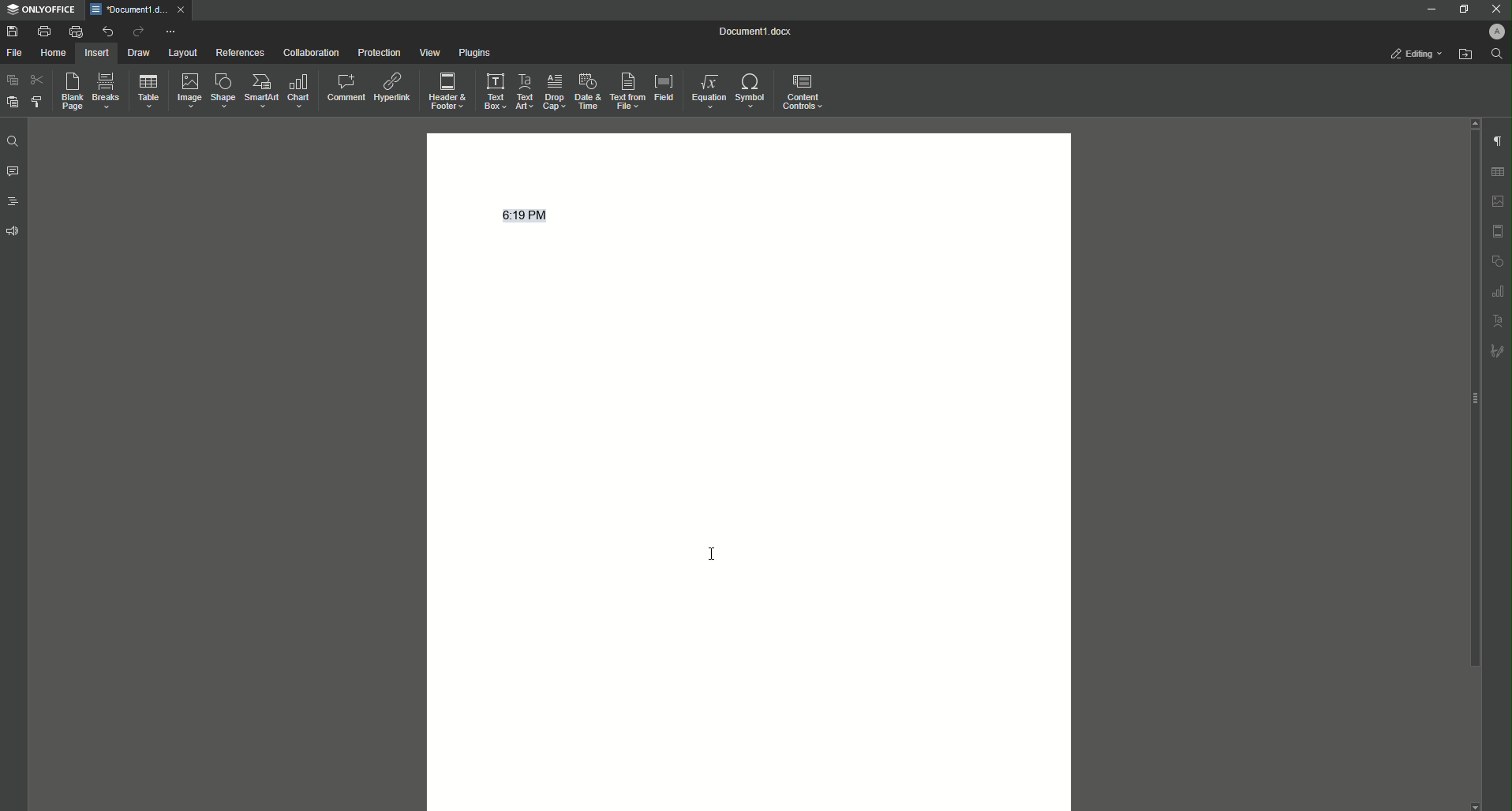 This screenshot has height=811, width=1512. I want to click on Text From File, so click(628, 92).